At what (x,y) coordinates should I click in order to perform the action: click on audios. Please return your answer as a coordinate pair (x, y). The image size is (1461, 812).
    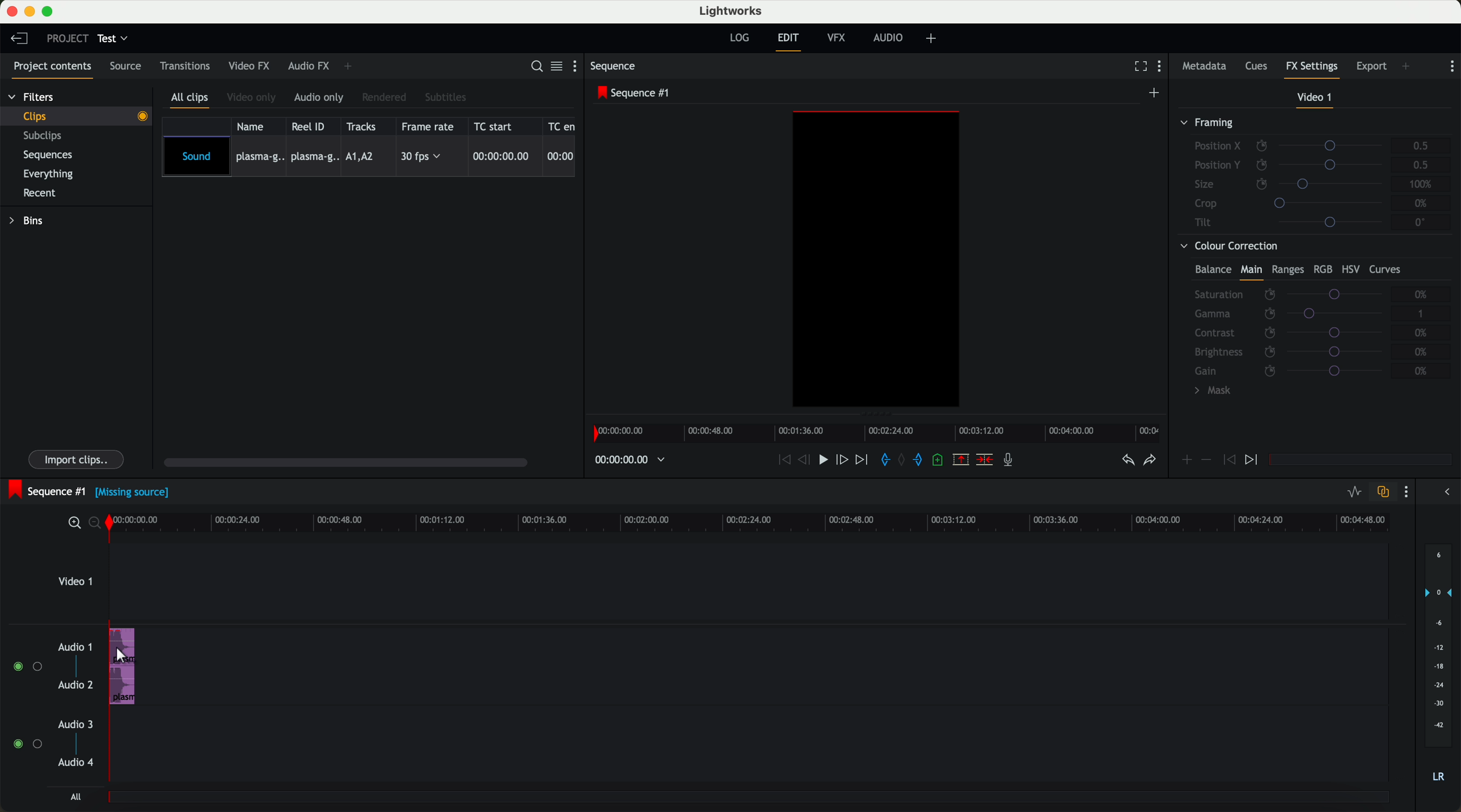
    Looking at the image, I should click on (50, 706).